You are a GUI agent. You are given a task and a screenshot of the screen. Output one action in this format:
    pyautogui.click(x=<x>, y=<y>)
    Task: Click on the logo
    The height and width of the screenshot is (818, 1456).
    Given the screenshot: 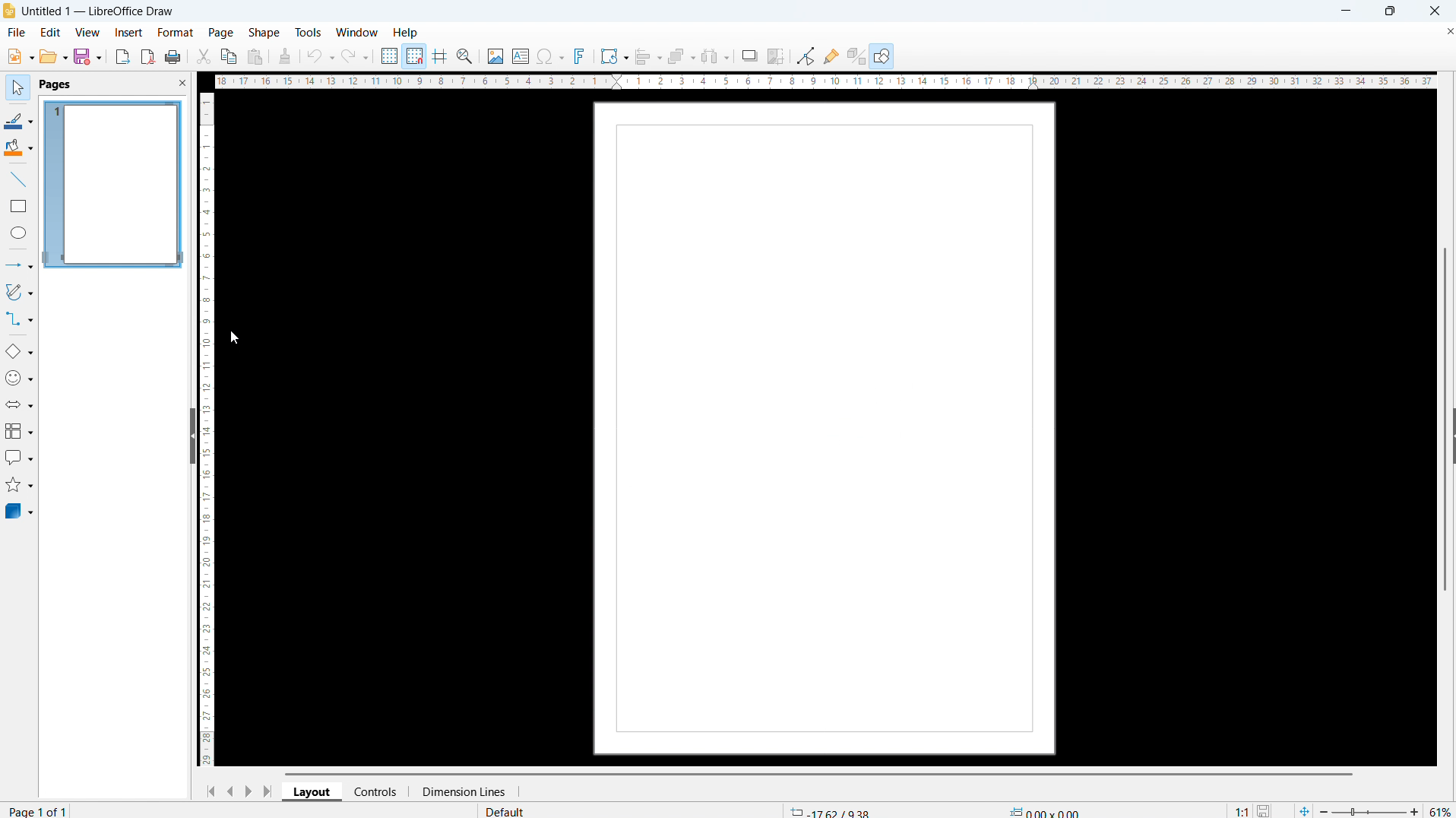 What is the action you would take?
    pyautogui.click(x=9, y=11)
    